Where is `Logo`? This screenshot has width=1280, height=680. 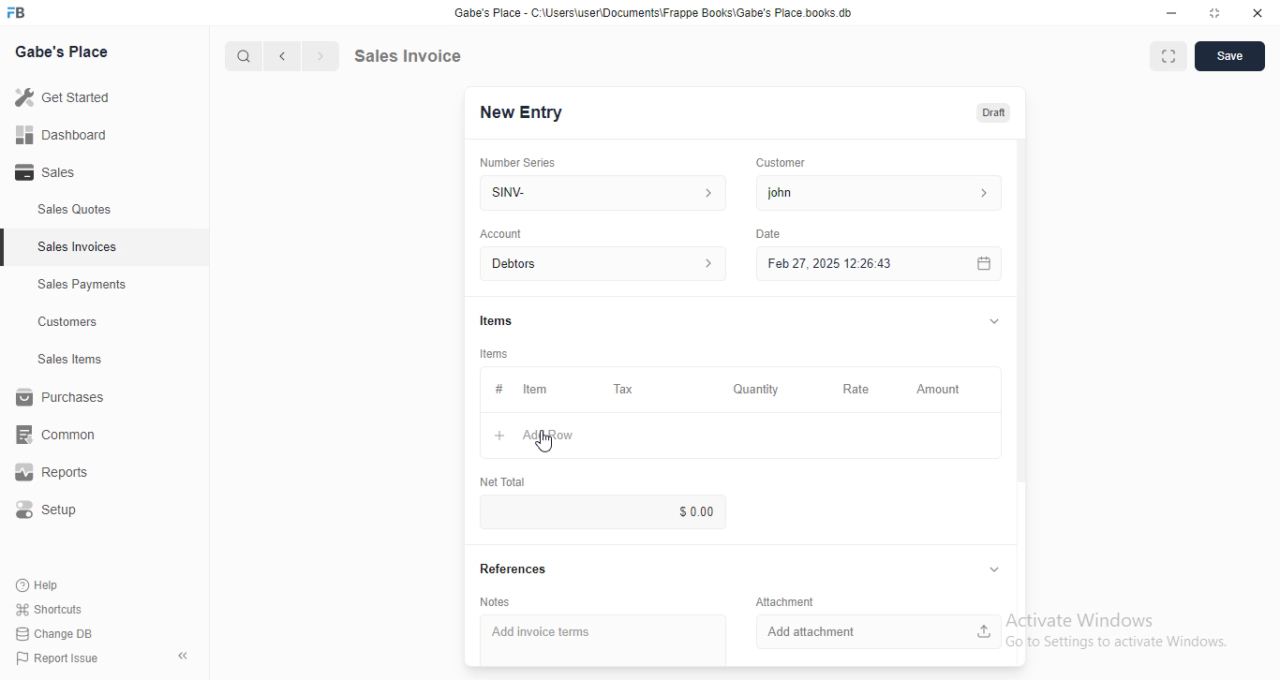
Logo is located at coordinates (24, 13).